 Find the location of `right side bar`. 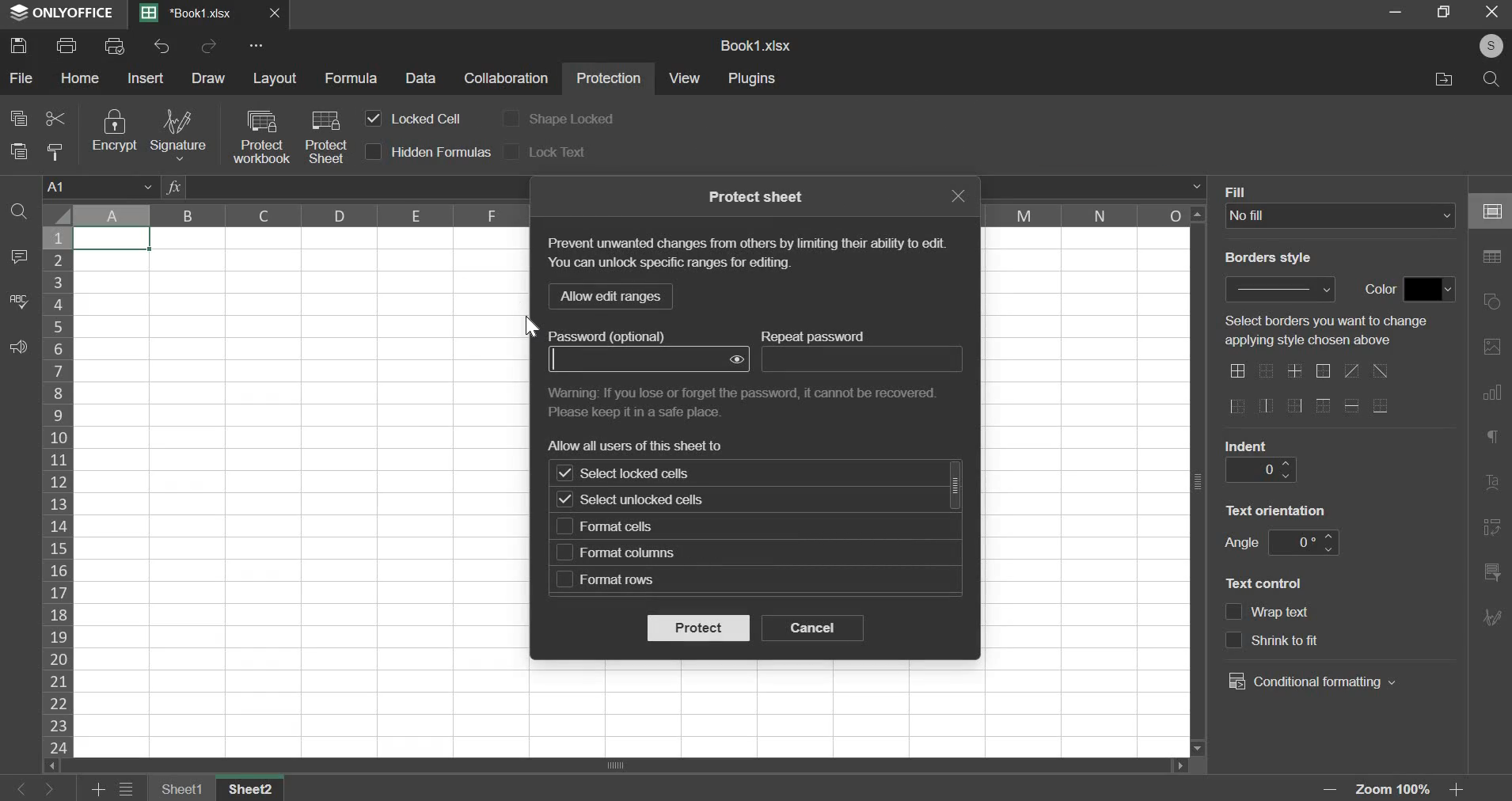

right side bar is located at coordinates (1494, 390).